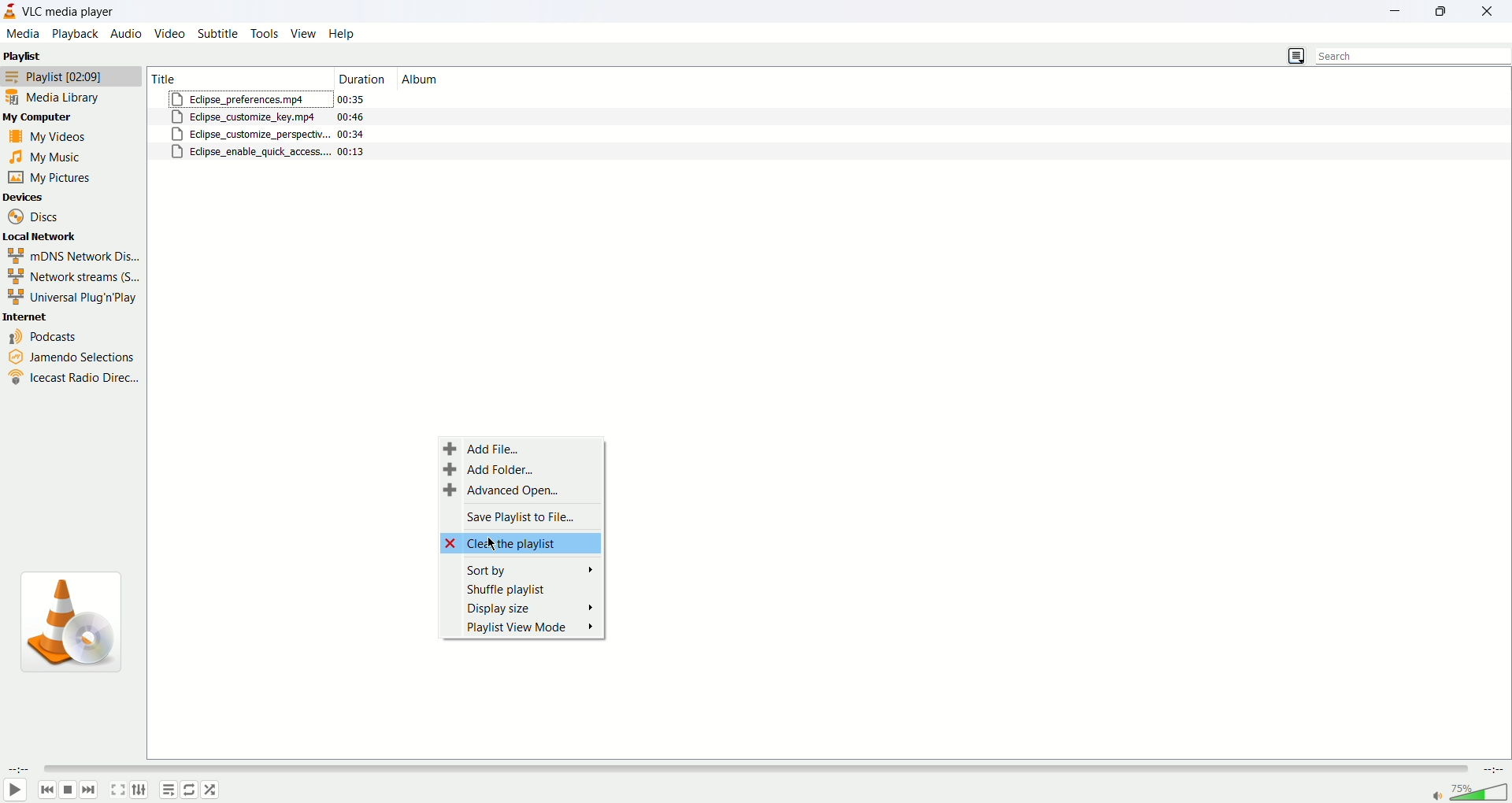 This screenshot has width=1512, height=803. Describe the element at coordinates (1492, 11) in the screenshot. I see `close` at that location.